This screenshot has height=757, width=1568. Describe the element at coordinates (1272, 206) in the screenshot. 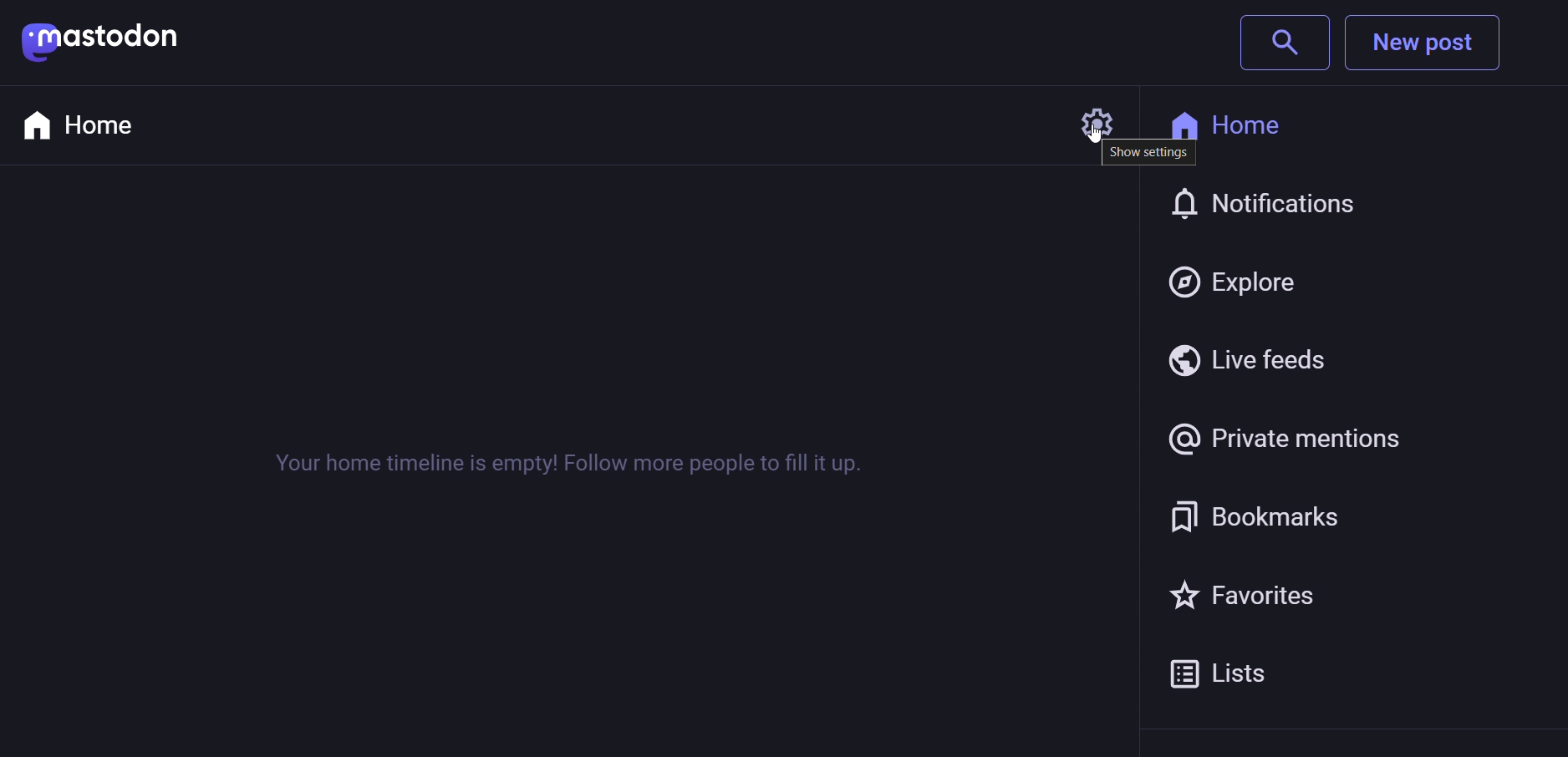

I see `notification` at that location.